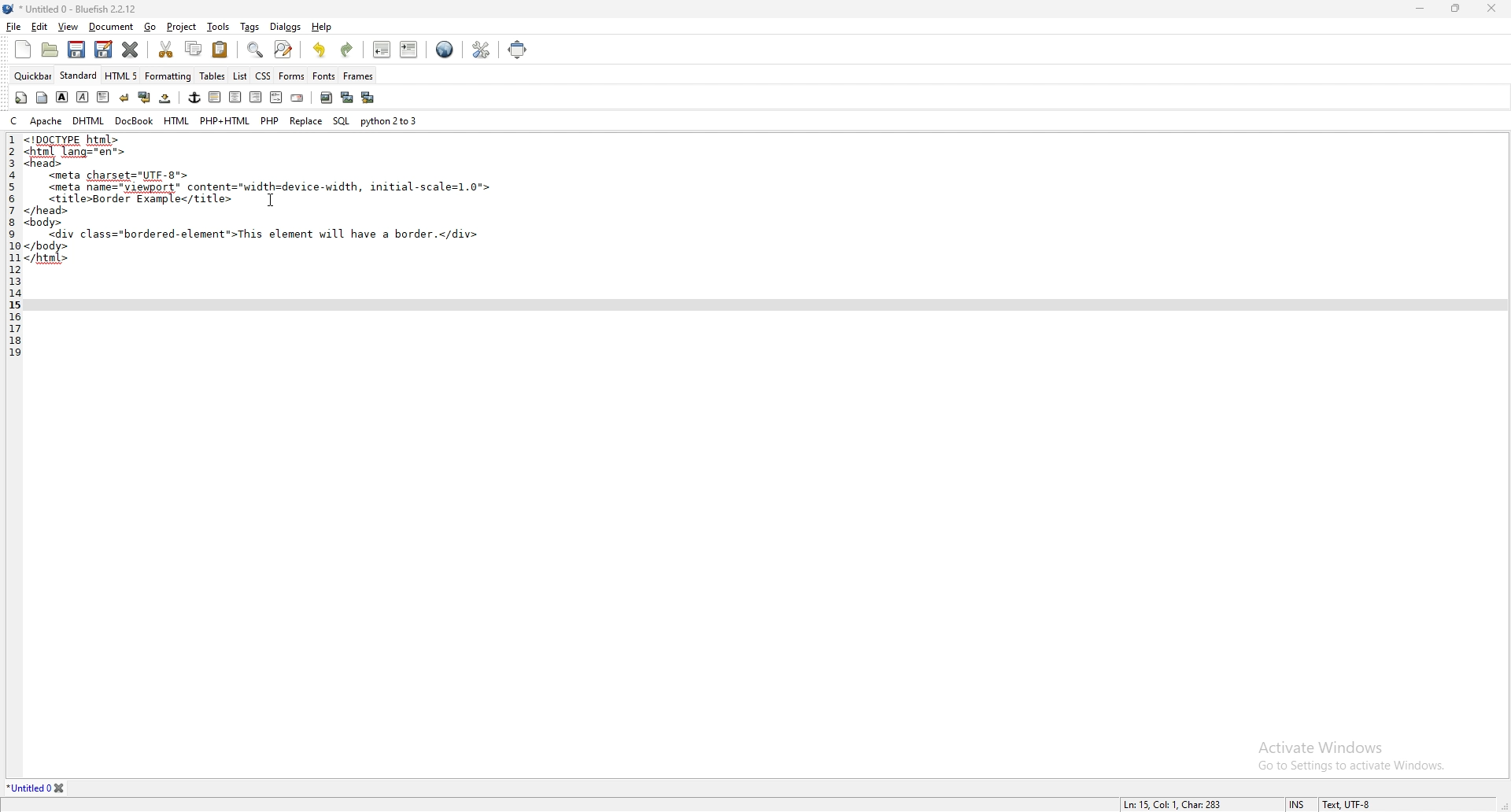 The height and width of the screenshot is (812, 1511). Describe the element at coordinates (285, 49) in the screenshot. I see `advanced find and replace` at that location.